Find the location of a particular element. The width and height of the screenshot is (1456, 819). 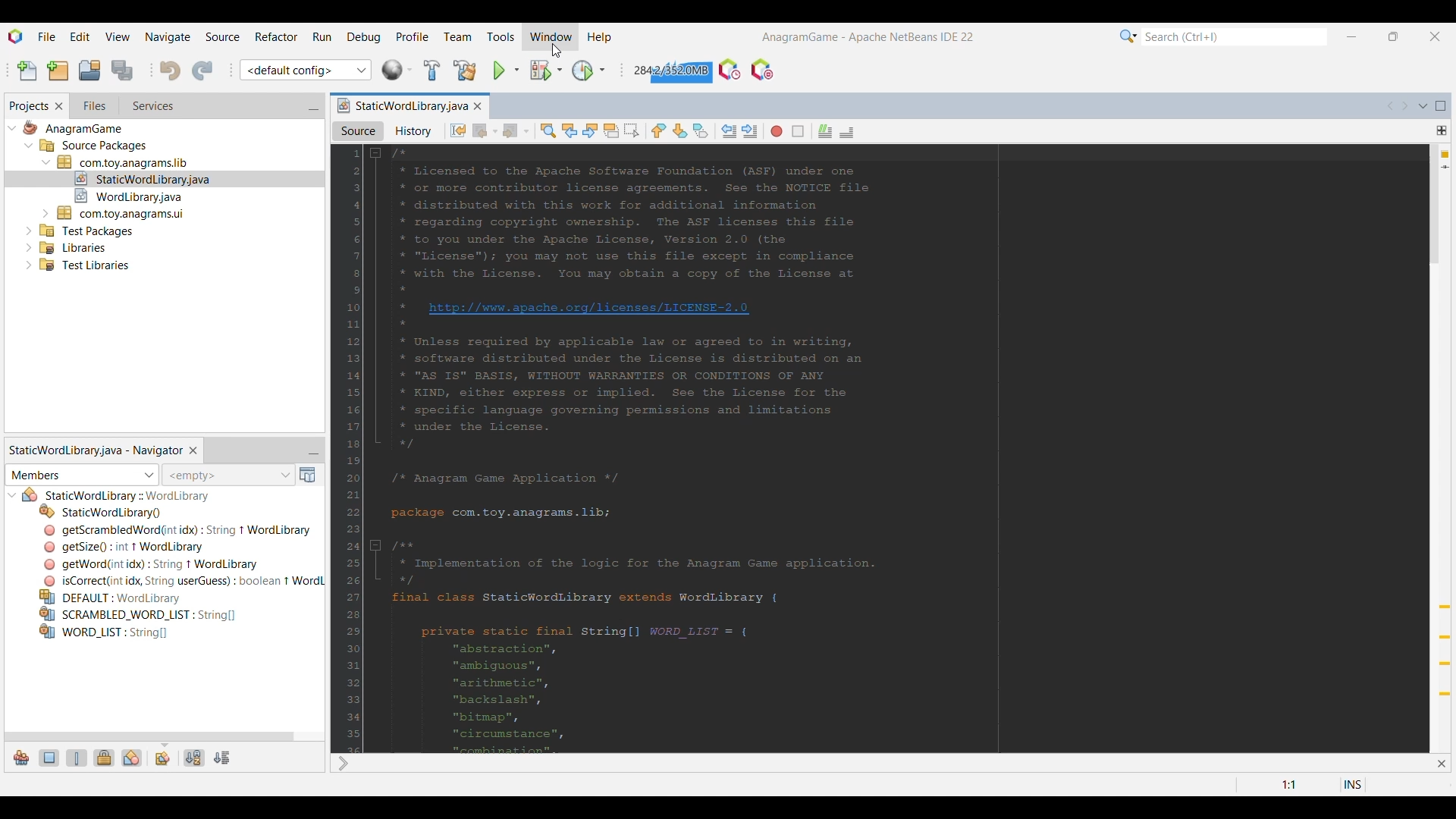

Uncomment is located at coordinates (847, 132).